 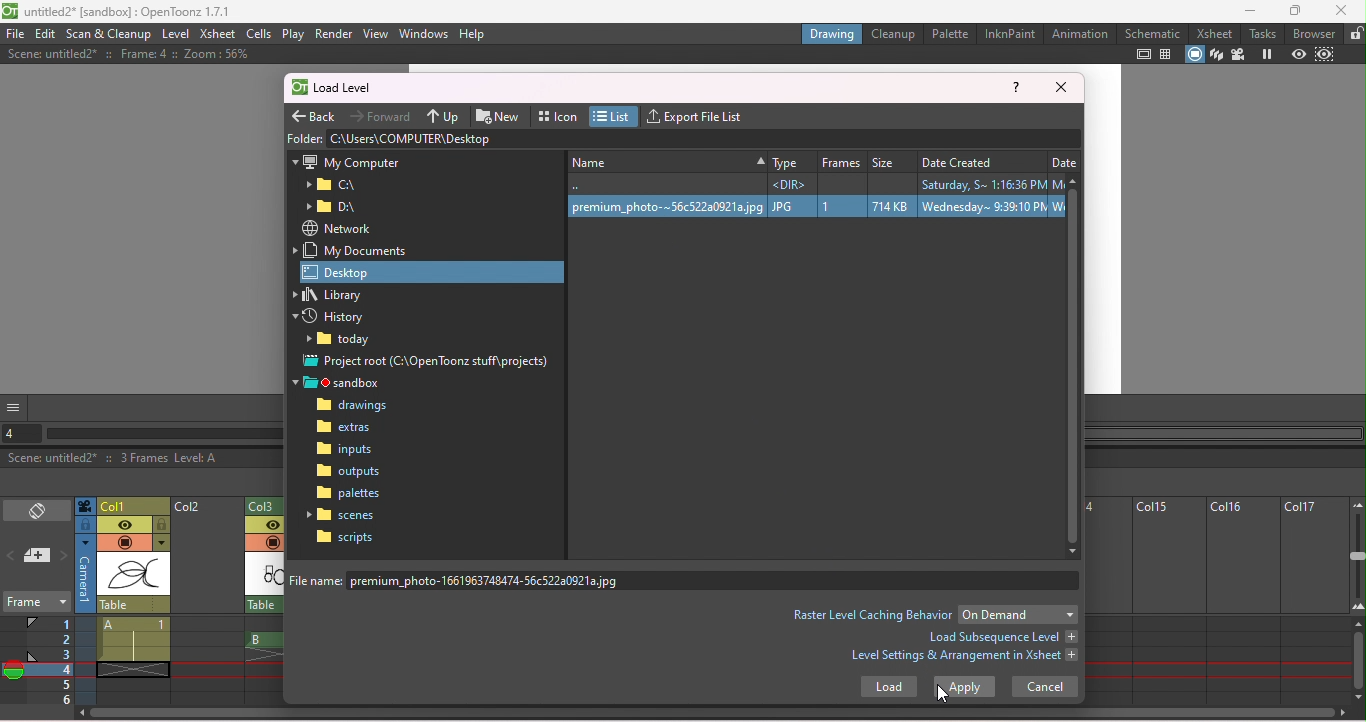 What do you see at coordinates (217, 35) in the screenshot?
I see `Xsheet` at bounding box center [217, 35].